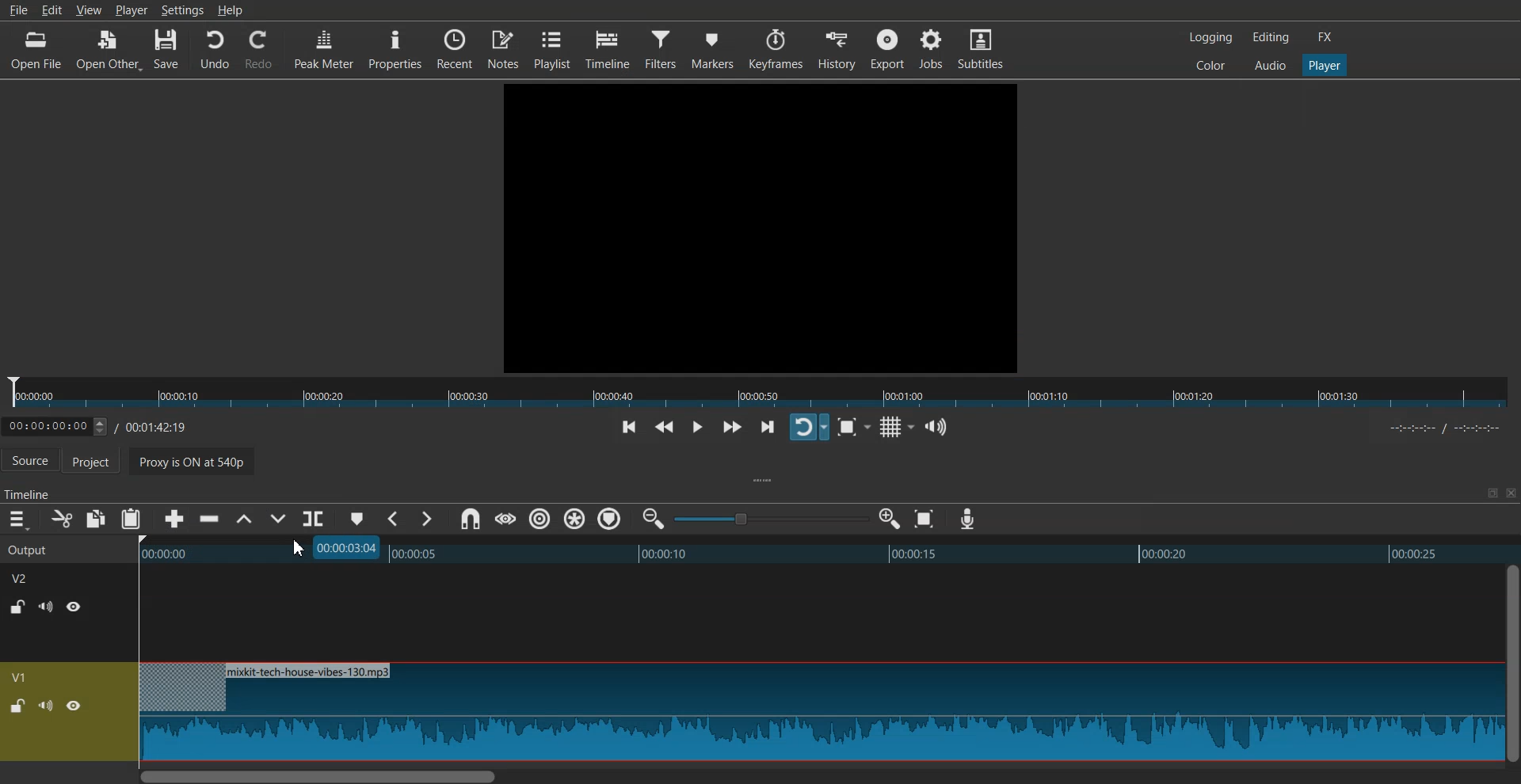 This screenshot has height=784, width=1521. Describe the element at coordinates (1325, 37) in the screenshot. I see `FX` at that location.